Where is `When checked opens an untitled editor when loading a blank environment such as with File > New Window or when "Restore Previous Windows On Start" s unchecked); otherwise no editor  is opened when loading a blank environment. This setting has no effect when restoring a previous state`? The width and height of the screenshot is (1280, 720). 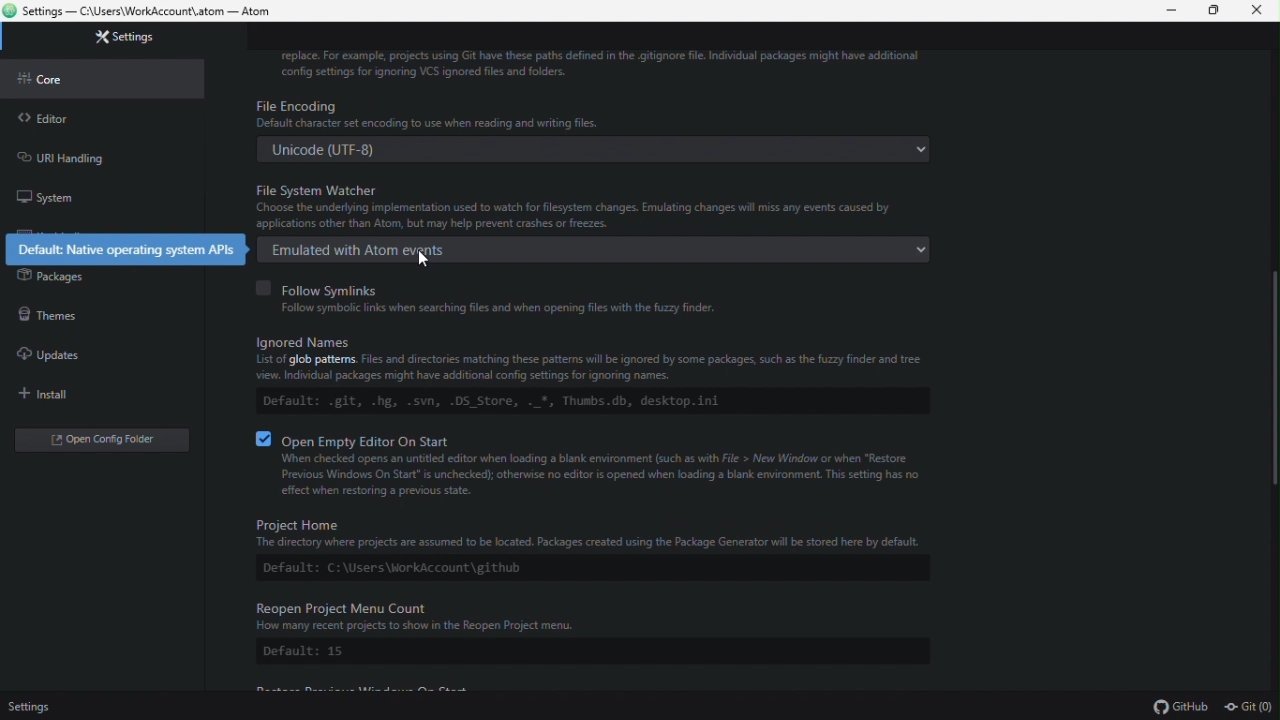 When checked opens an untitled editor when loading a blank environment such as with File > New Window or when "Restore Previous Windows On Start" s unchecked); otherwise no editor  is opened when loading a blank environment. This setting has no effect when restoring a previous state is located at coordinates (584, 477).